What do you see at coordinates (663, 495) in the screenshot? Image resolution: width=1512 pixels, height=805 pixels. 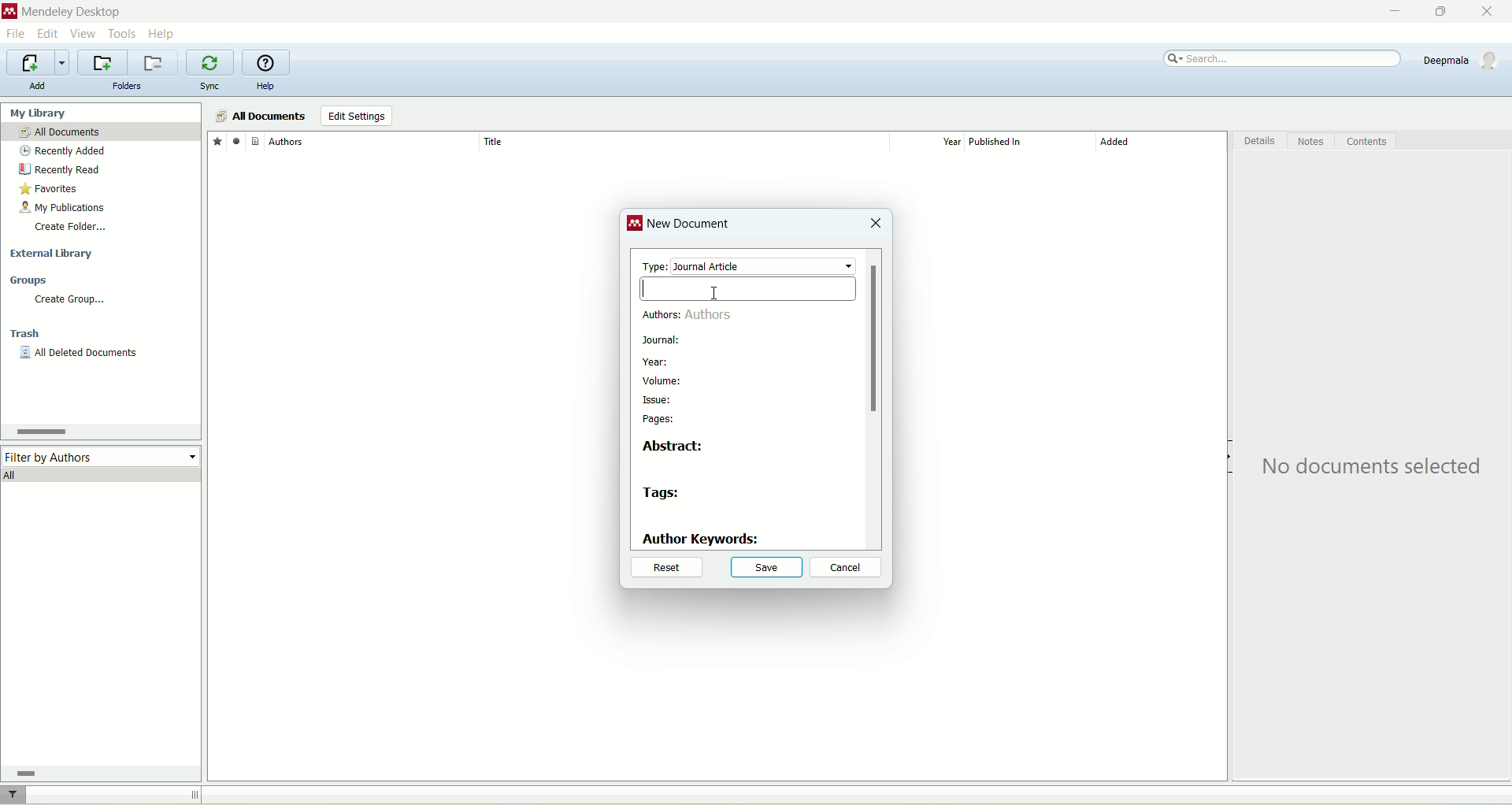 I see `tags` at bounding box center [663, 495].